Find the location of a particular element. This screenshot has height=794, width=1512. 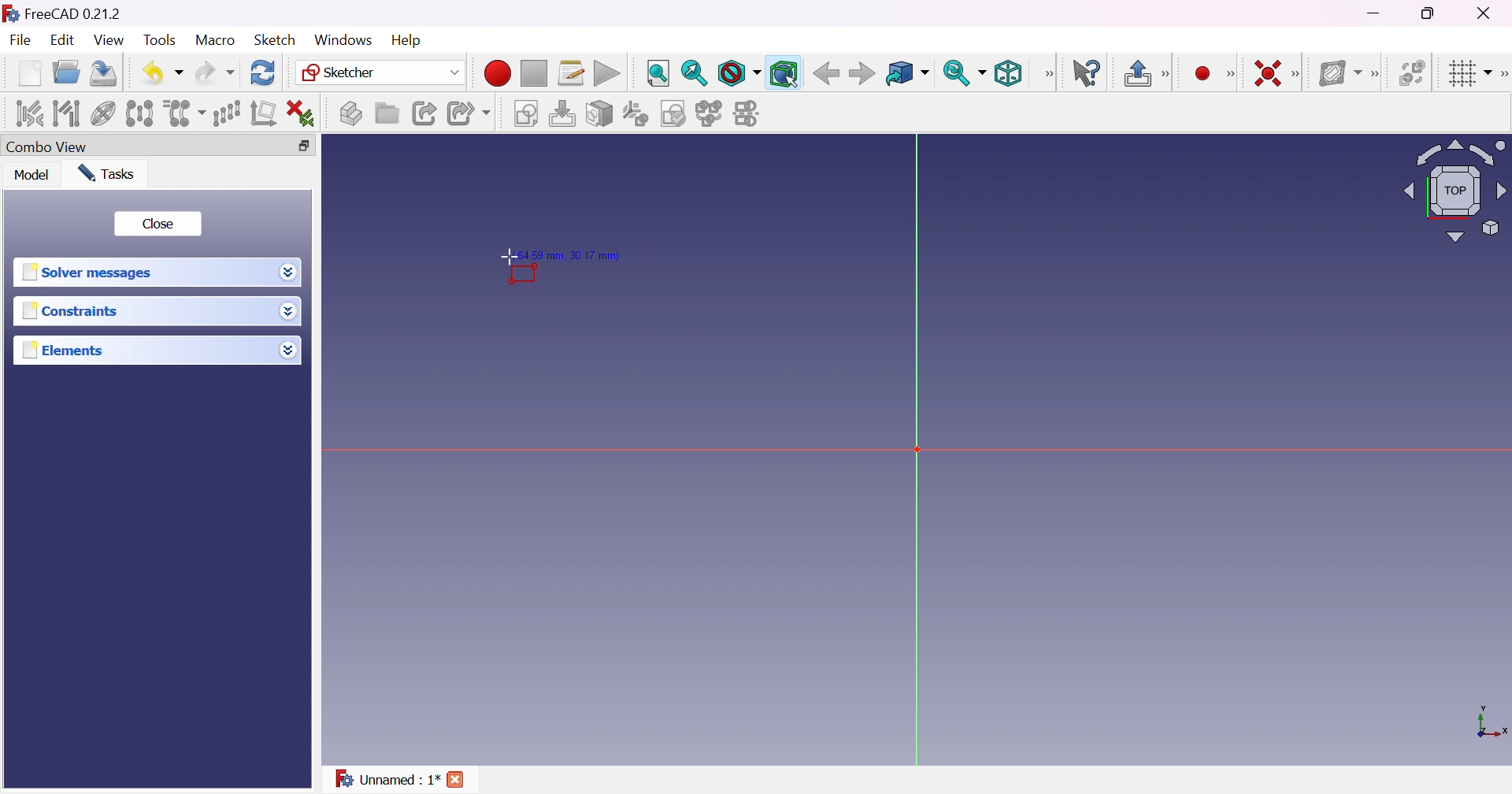

Restore down is located at coordinates (1431, 13).